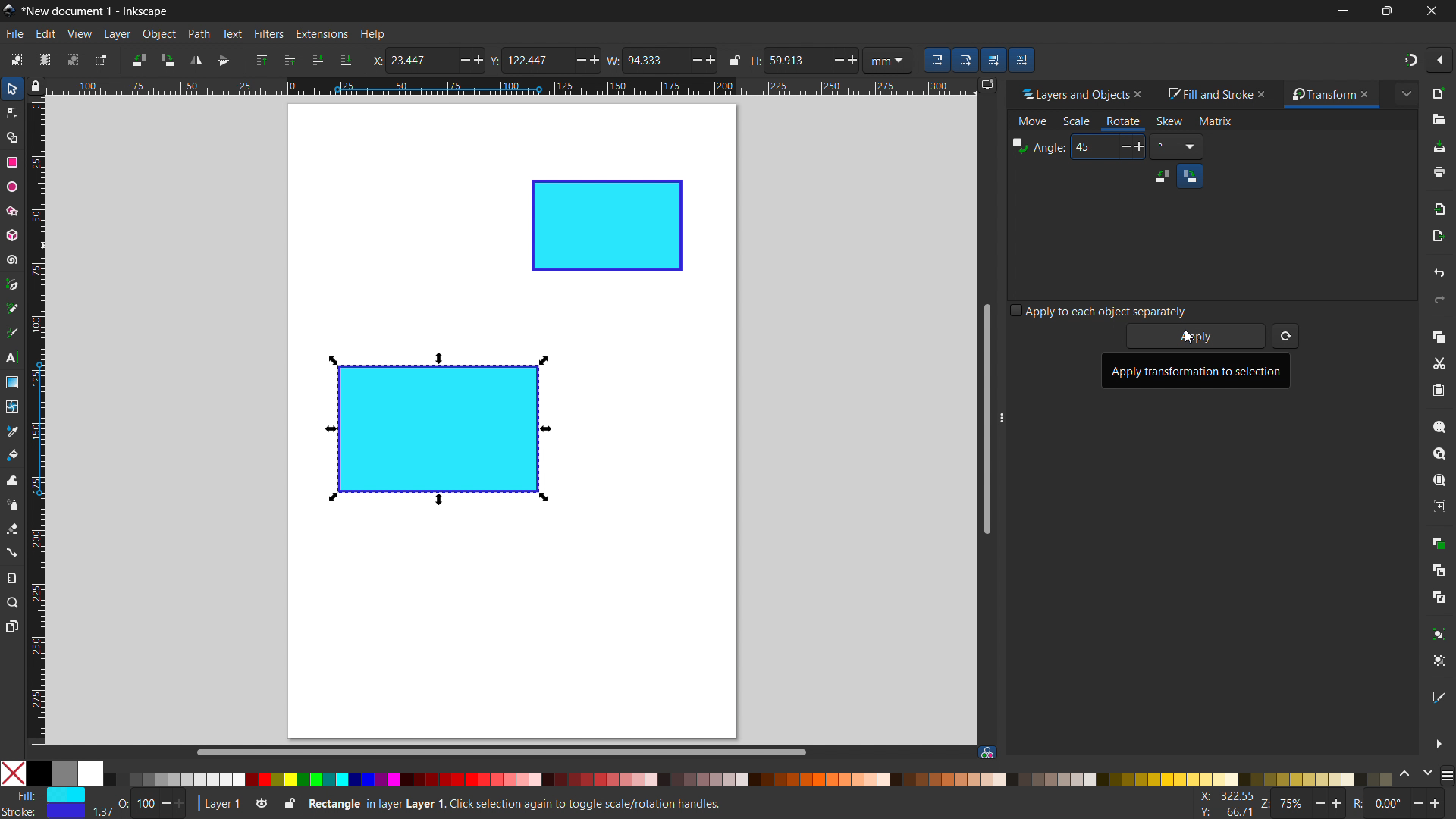 The width and height of the screenshot is (1456, 819). Describe the element at coordinates (195, 60) in the screenshot. I see `flip horizontal` at that location.